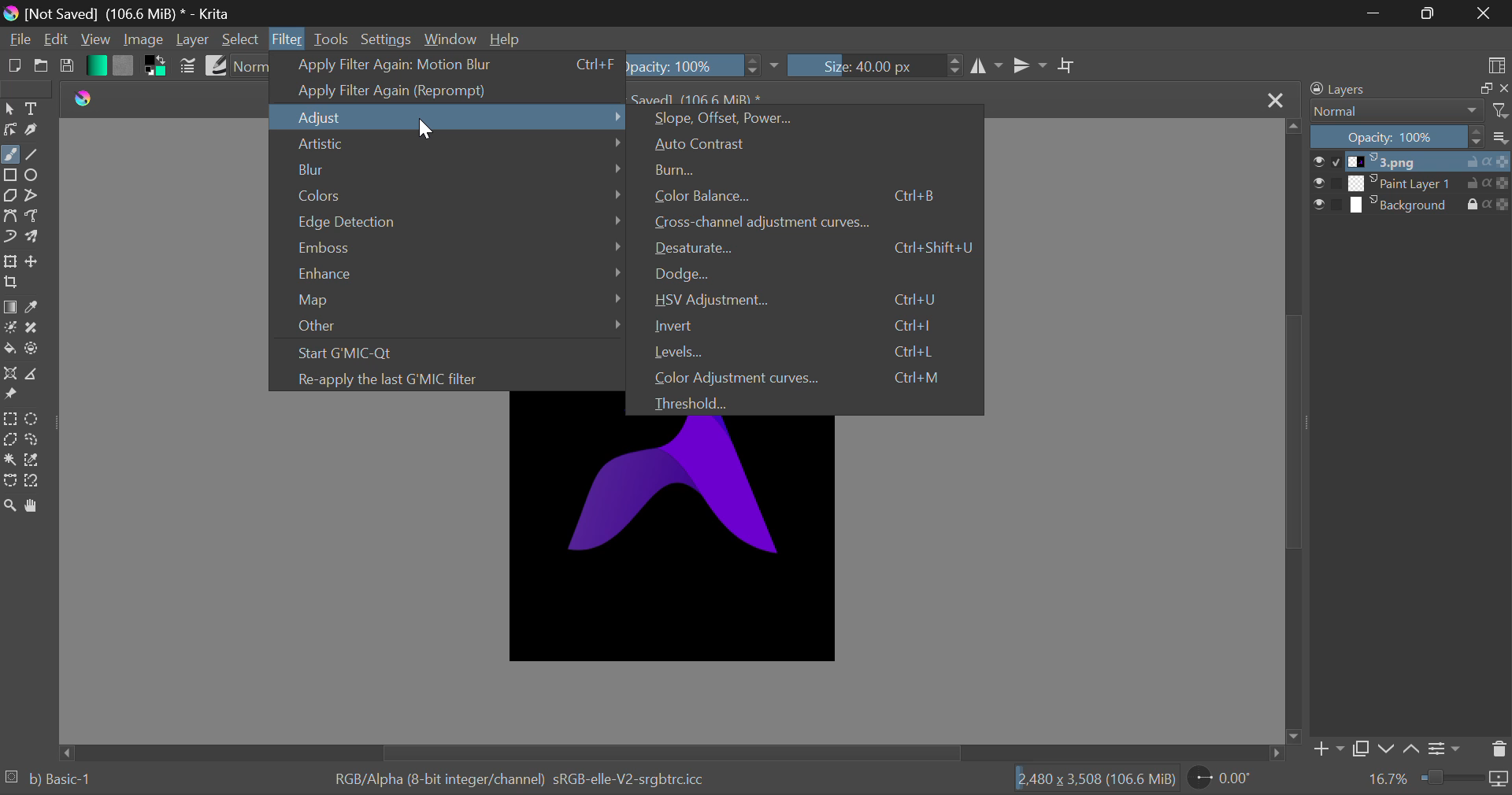 This screenshot has height=795, width=1512. What do you see at coordinates (505, 39) in the screenshot?
I see `Help` at bounding box center [505, 39].